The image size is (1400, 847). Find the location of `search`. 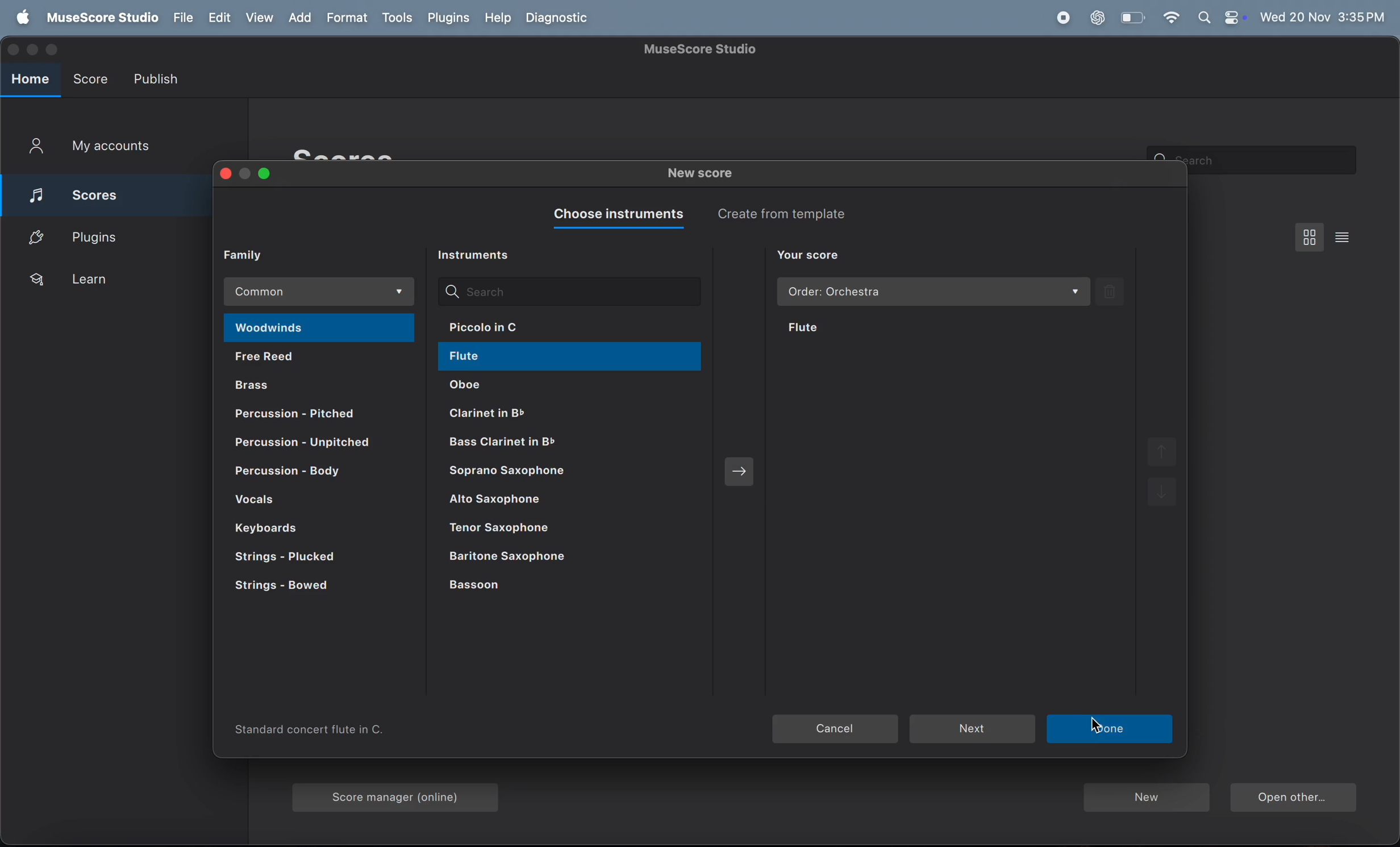

search is located at coordinates (568, 291).